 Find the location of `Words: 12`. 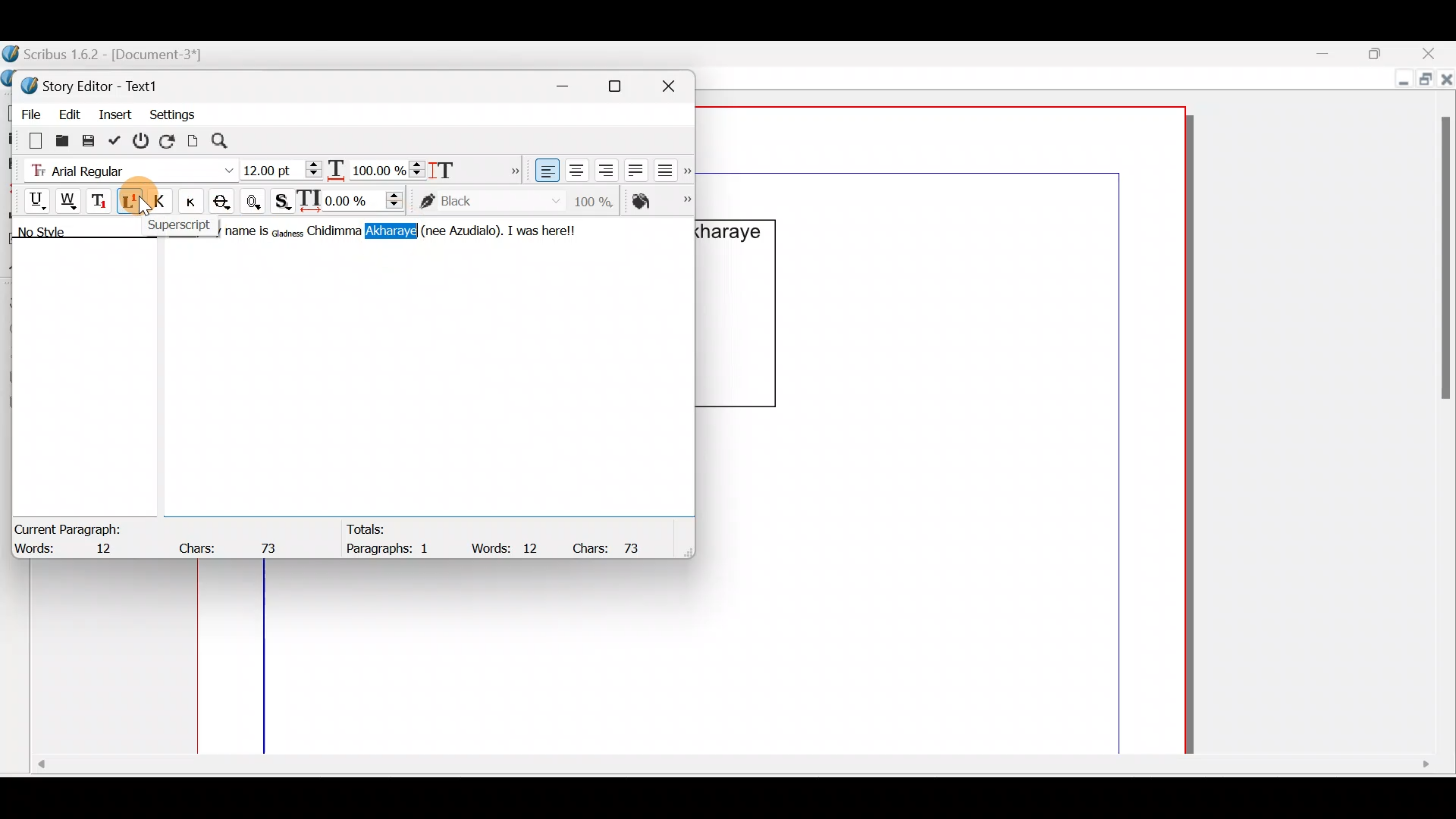

Words: 12 is located at coordinates (72, 550).